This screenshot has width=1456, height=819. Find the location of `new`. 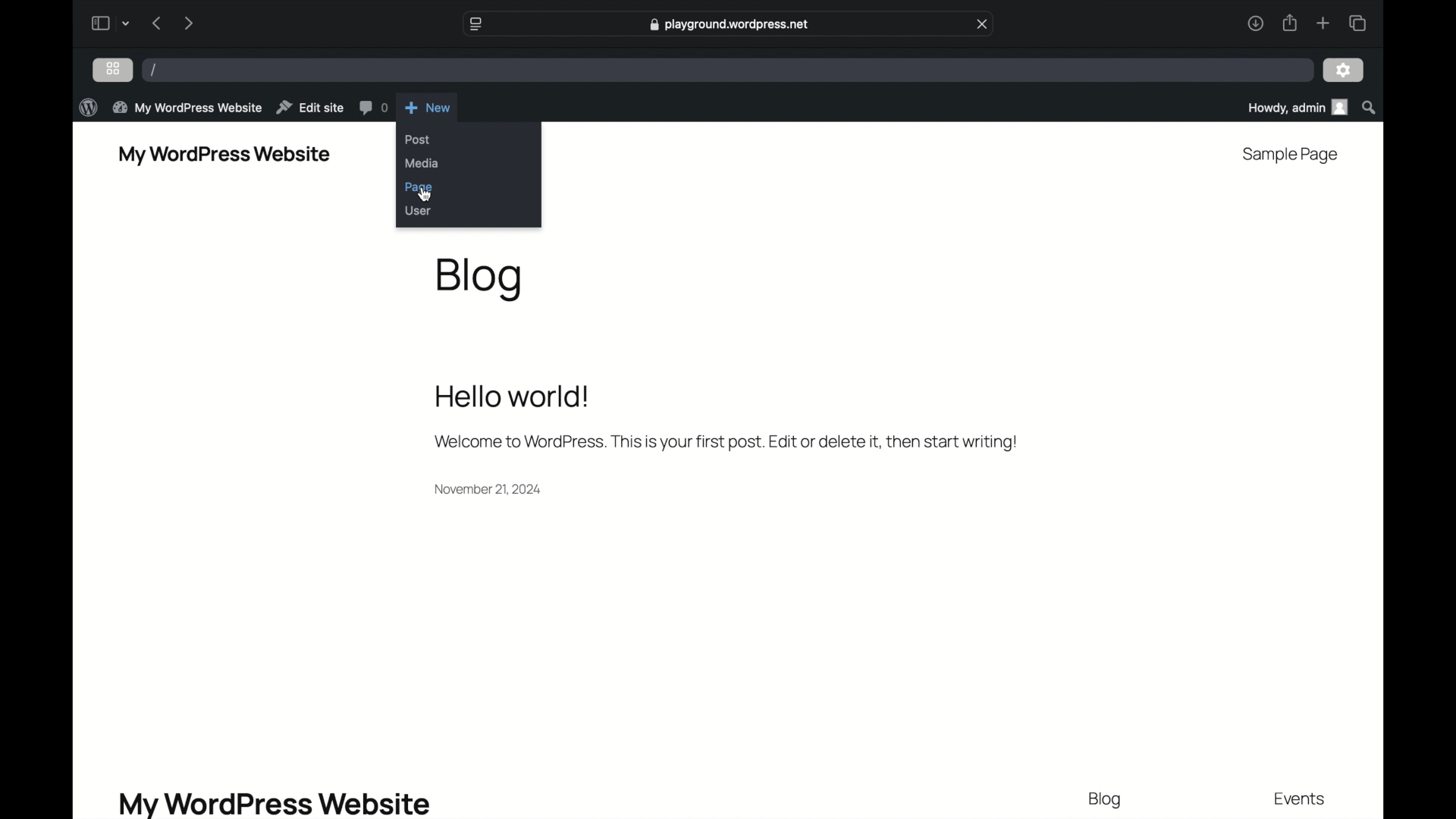

new is located at coordinates (428, 106).